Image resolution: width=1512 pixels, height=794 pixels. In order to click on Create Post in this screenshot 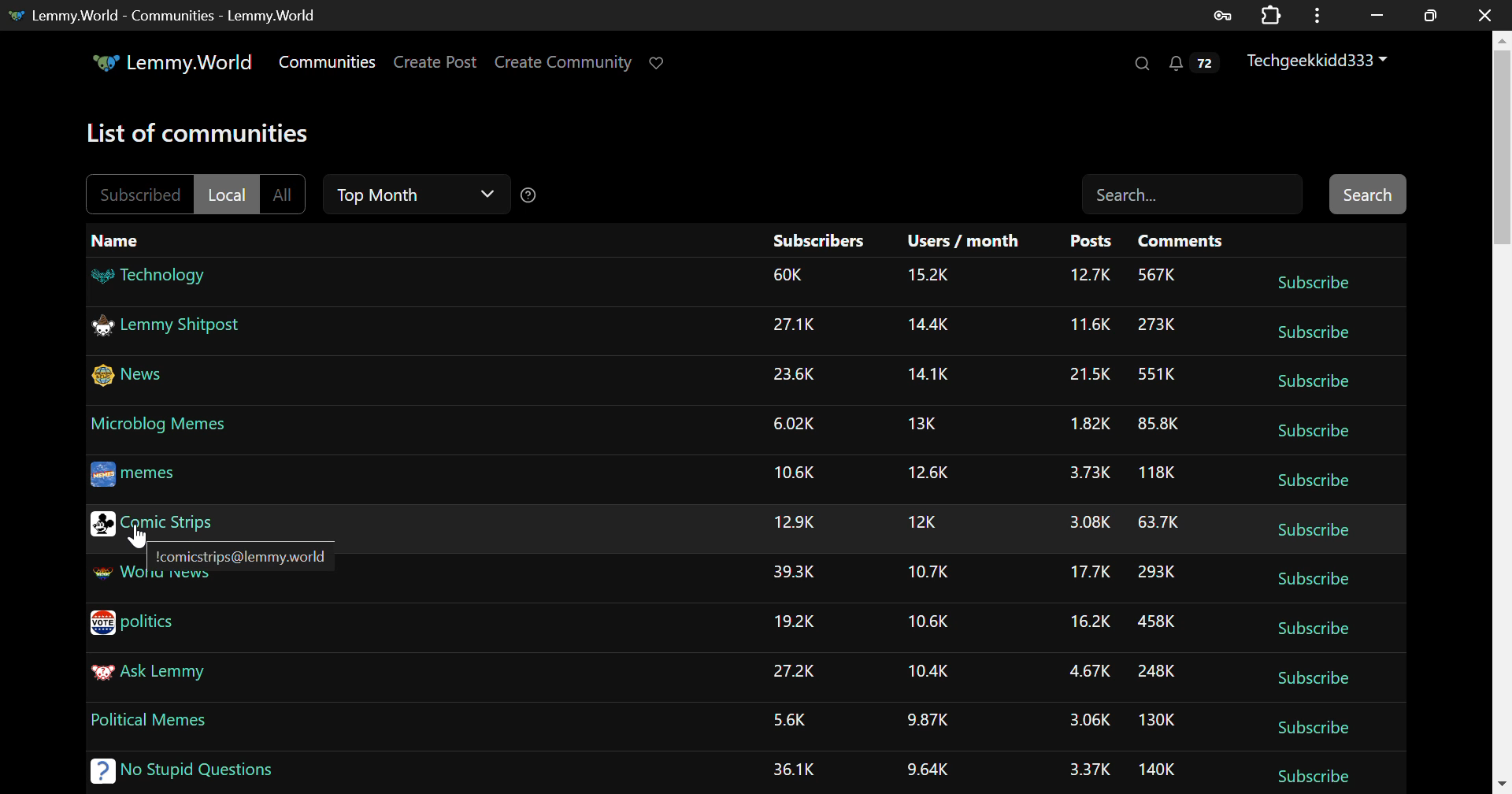, I will do `click(439, 61)`.